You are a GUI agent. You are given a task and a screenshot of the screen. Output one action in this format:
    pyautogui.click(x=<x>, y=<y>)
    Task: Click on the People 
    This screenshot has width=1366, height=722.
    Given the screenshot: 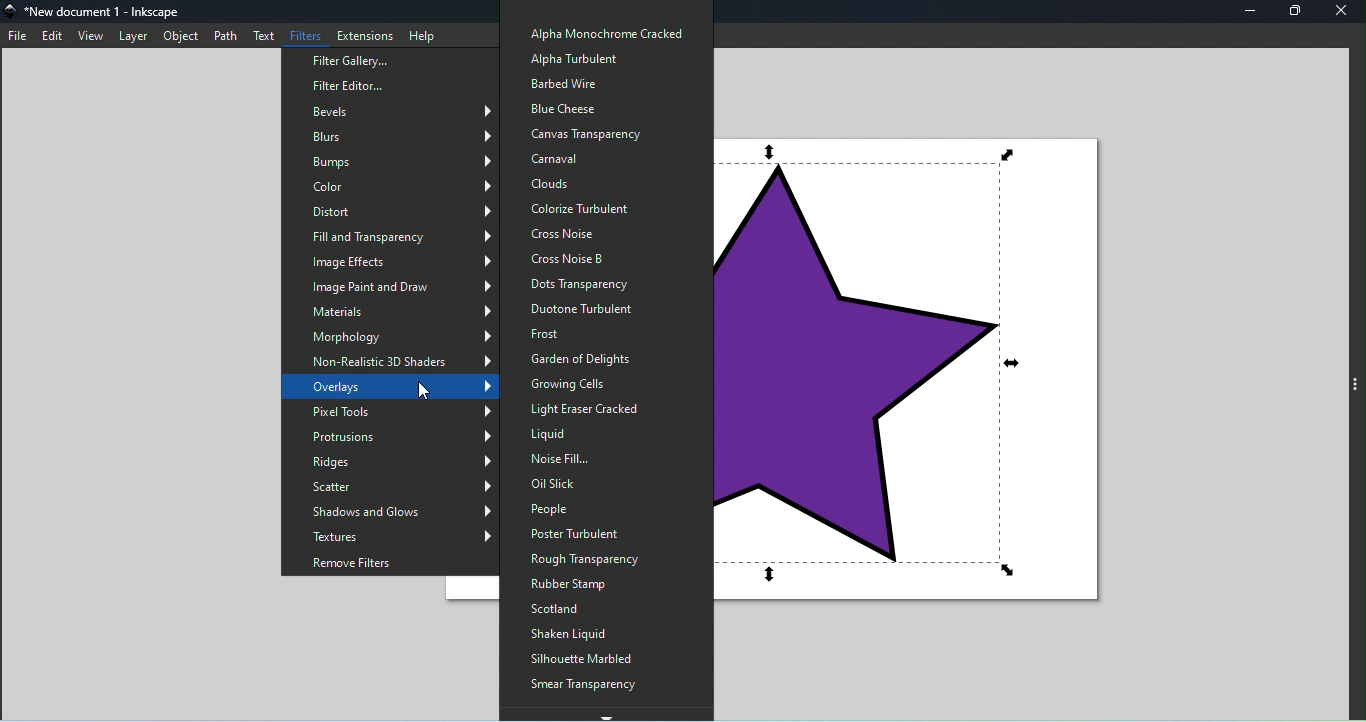 What is the action you would take?
    pyautogui.click(x=582, y=509)
    